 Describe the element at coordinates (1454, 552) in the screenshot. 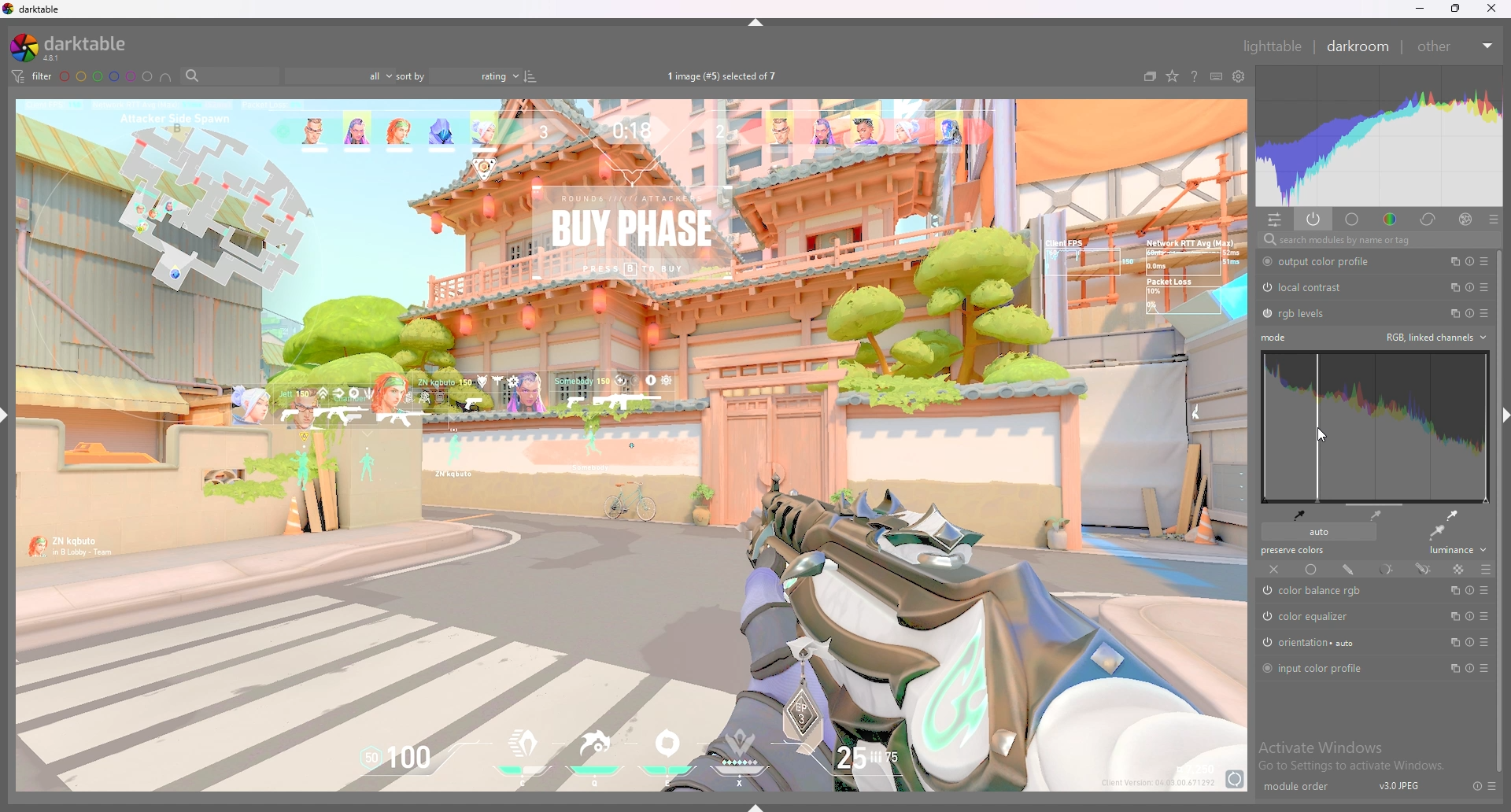

I see `luminance` at that location.